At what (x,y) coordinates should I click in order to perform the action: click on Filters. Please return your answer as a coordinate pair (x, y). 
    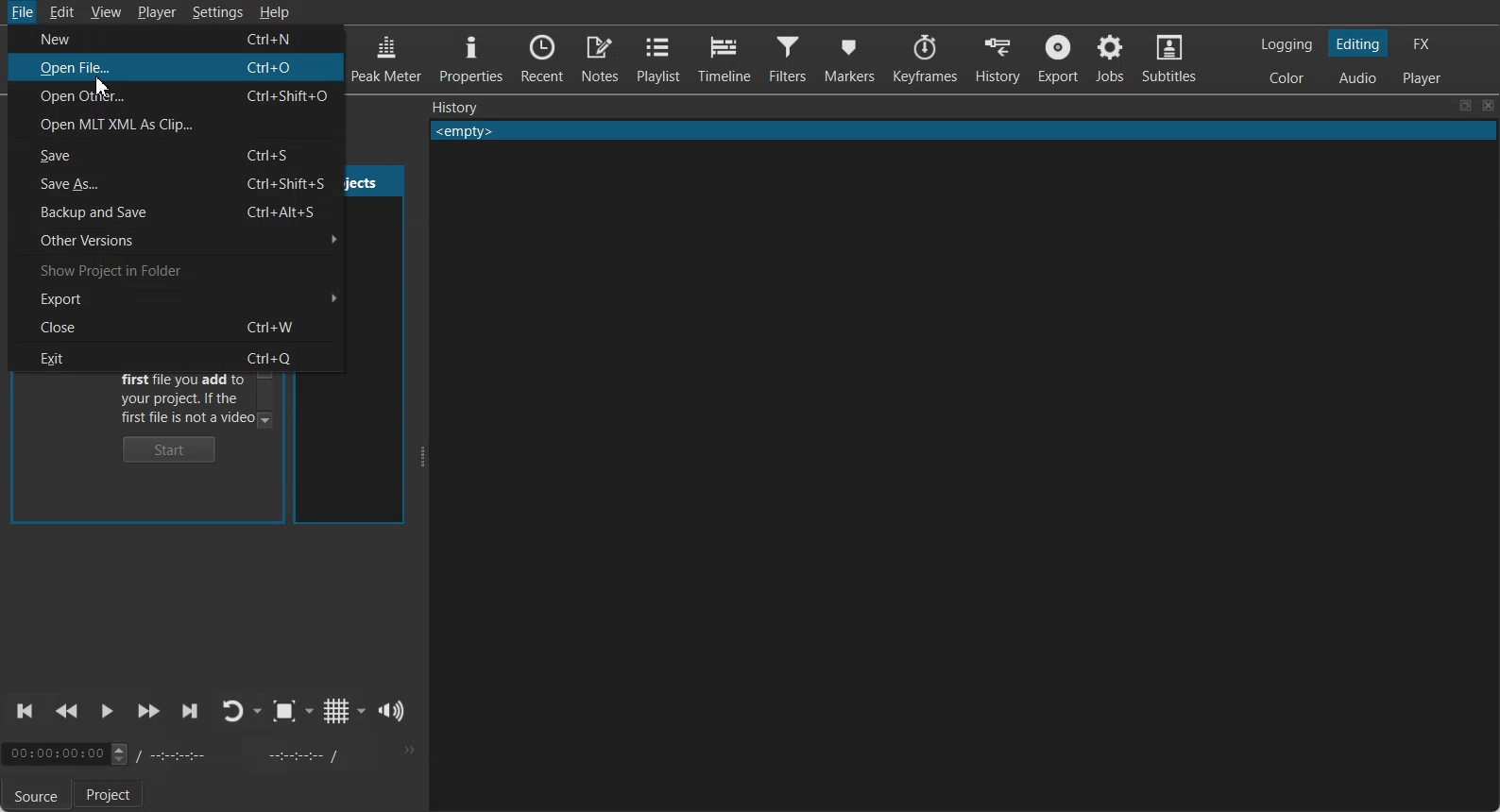
    Looking at the image, I should click on (787, 57).